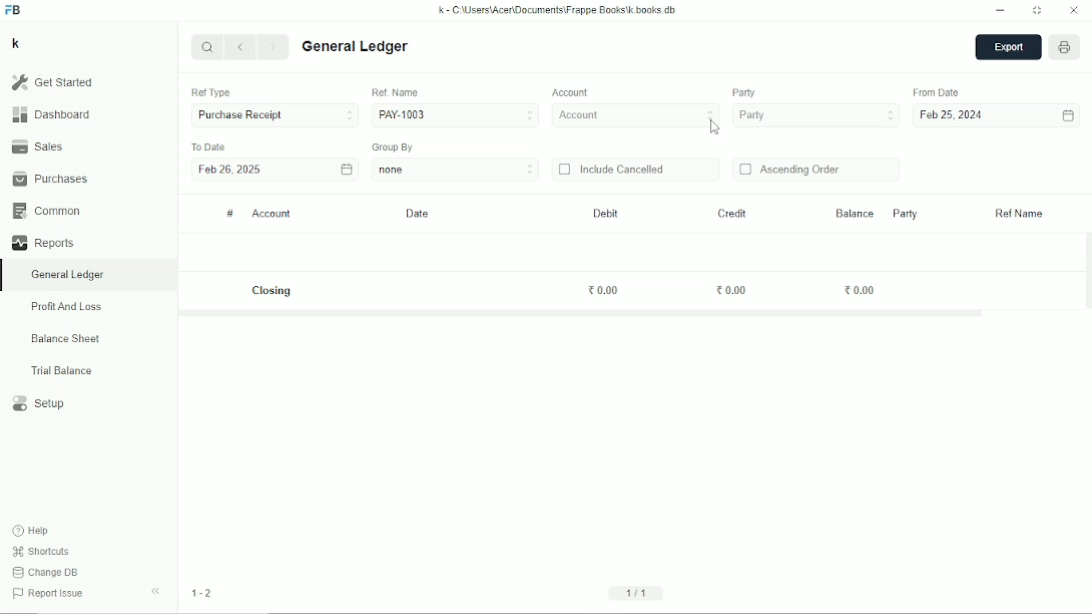  I want to click on Next, so click(275, 48).